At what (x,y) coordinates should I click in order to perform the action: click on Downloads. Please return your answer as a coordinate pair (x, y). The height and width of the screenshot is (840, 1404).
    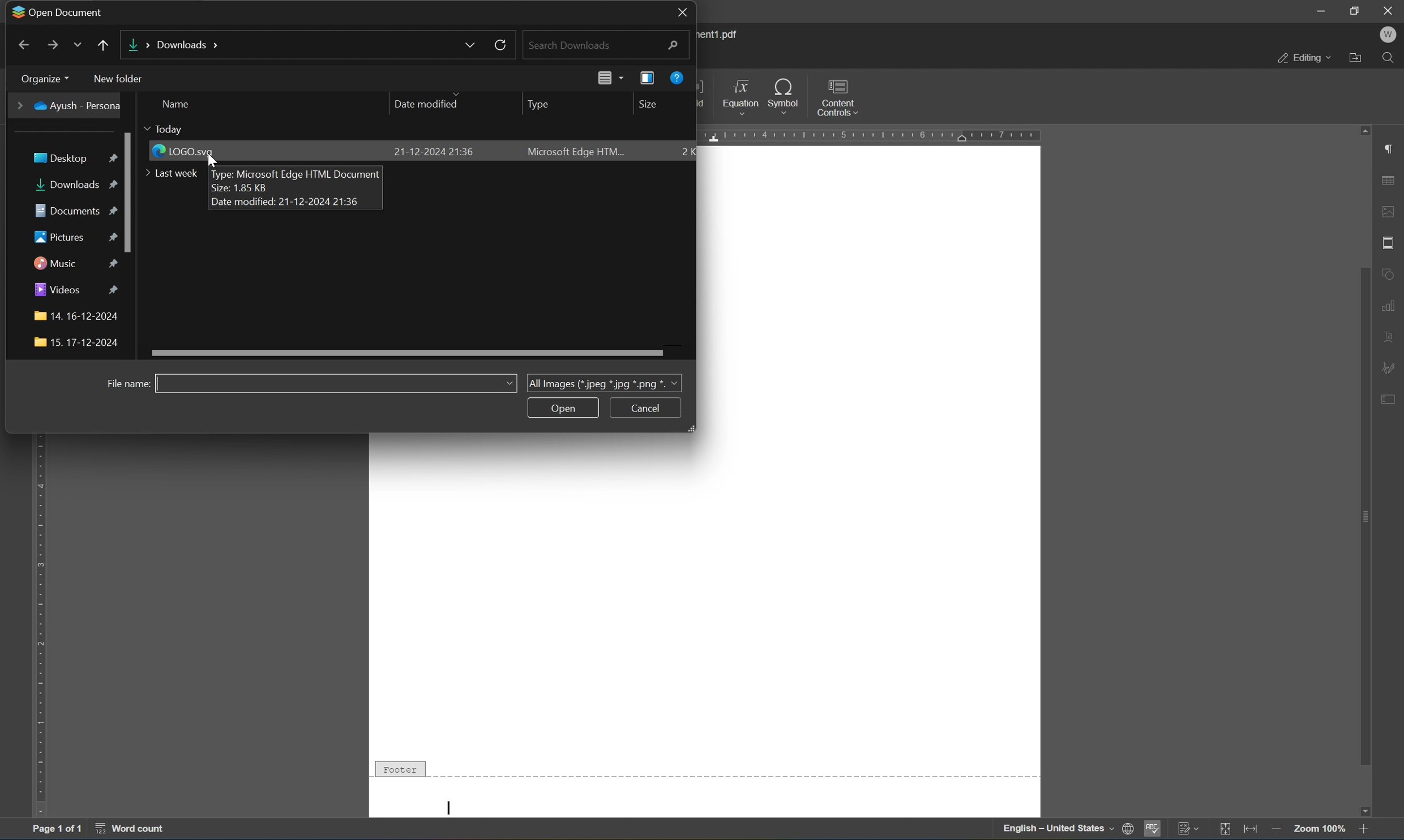
    Looking at the image, I should click on (189, 45).